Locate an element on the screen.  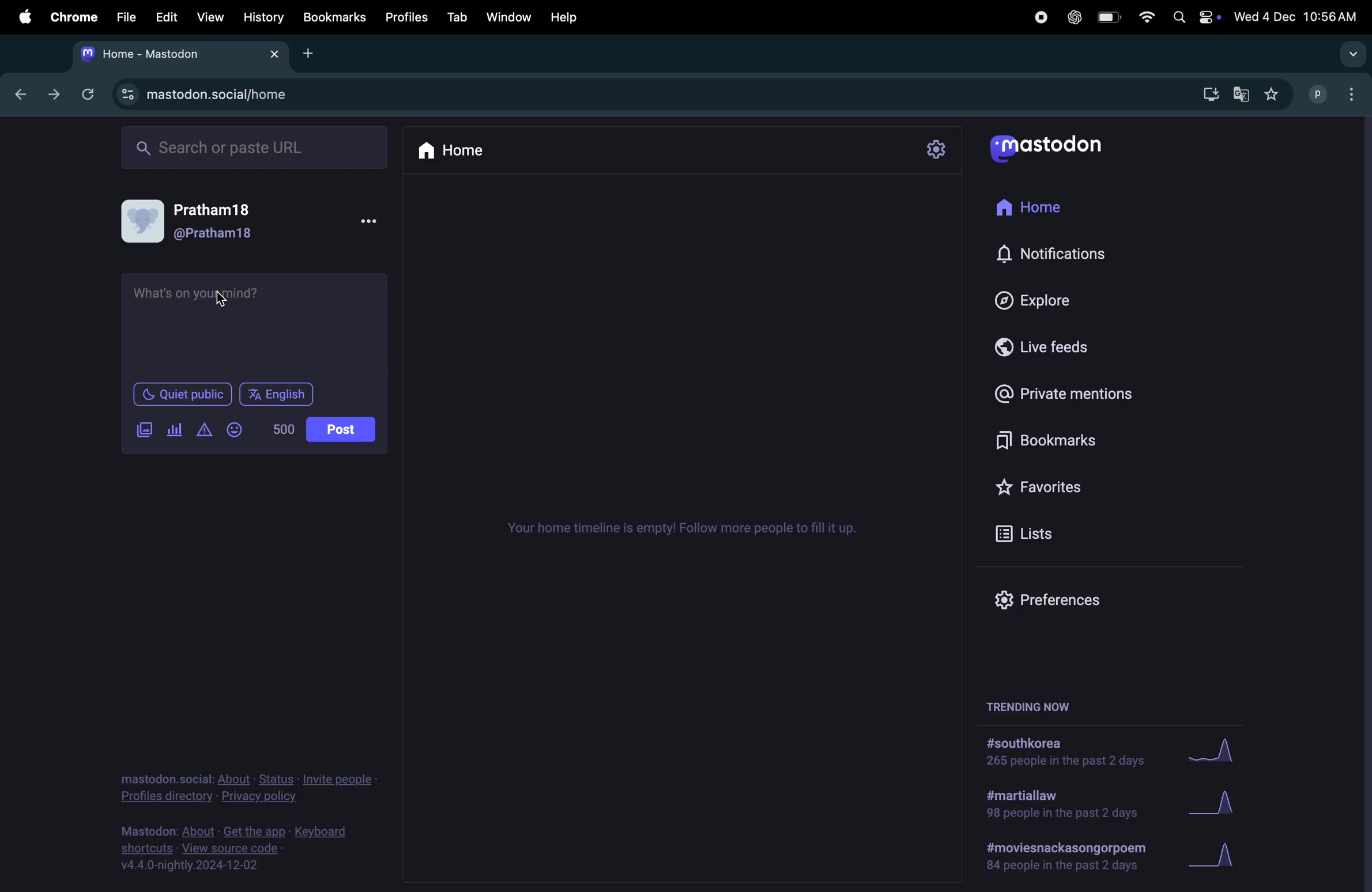
battery is located at coordinates (1105, 16).